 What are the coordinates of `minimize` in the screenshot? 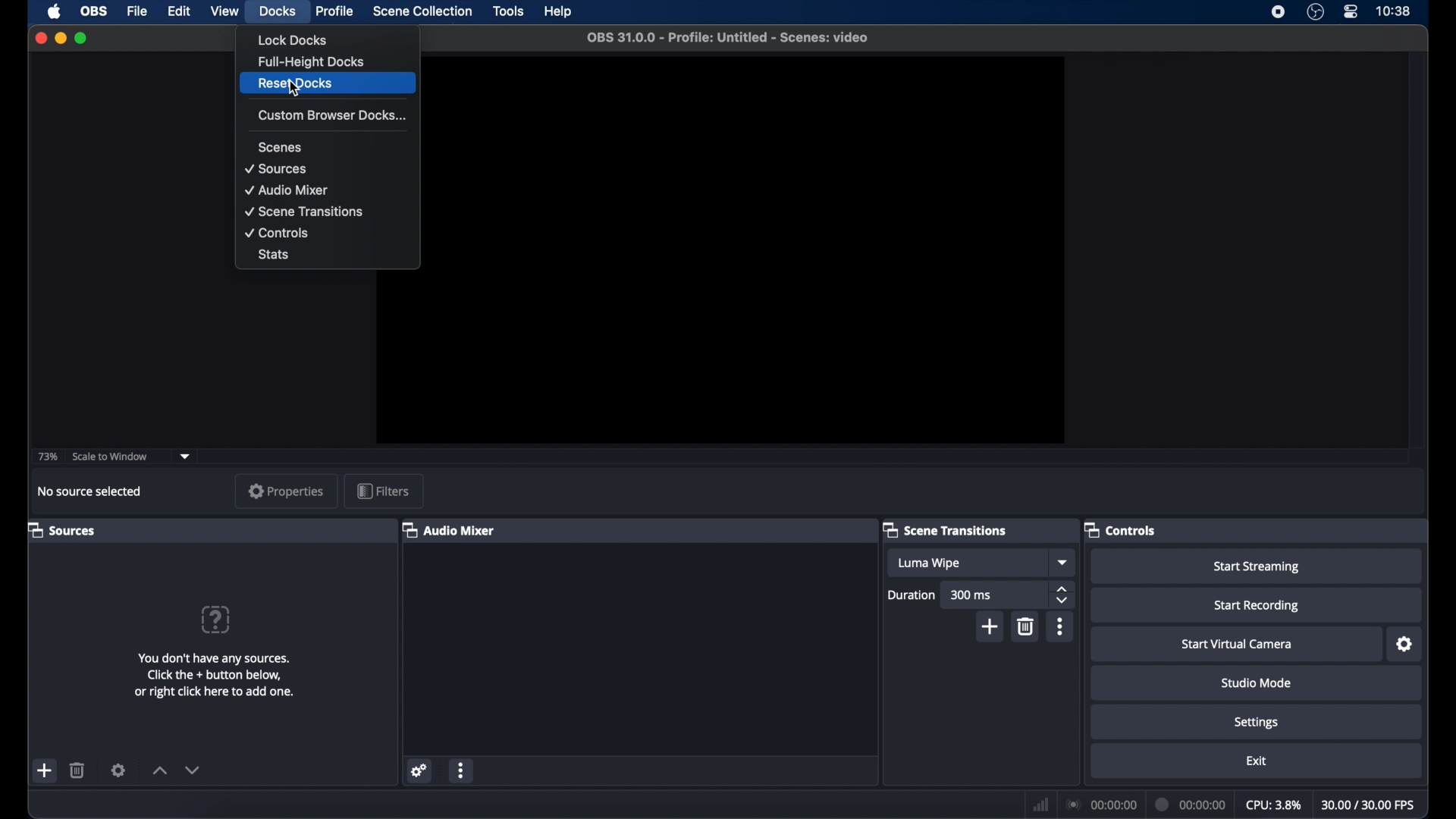 It's located at (60, 37).